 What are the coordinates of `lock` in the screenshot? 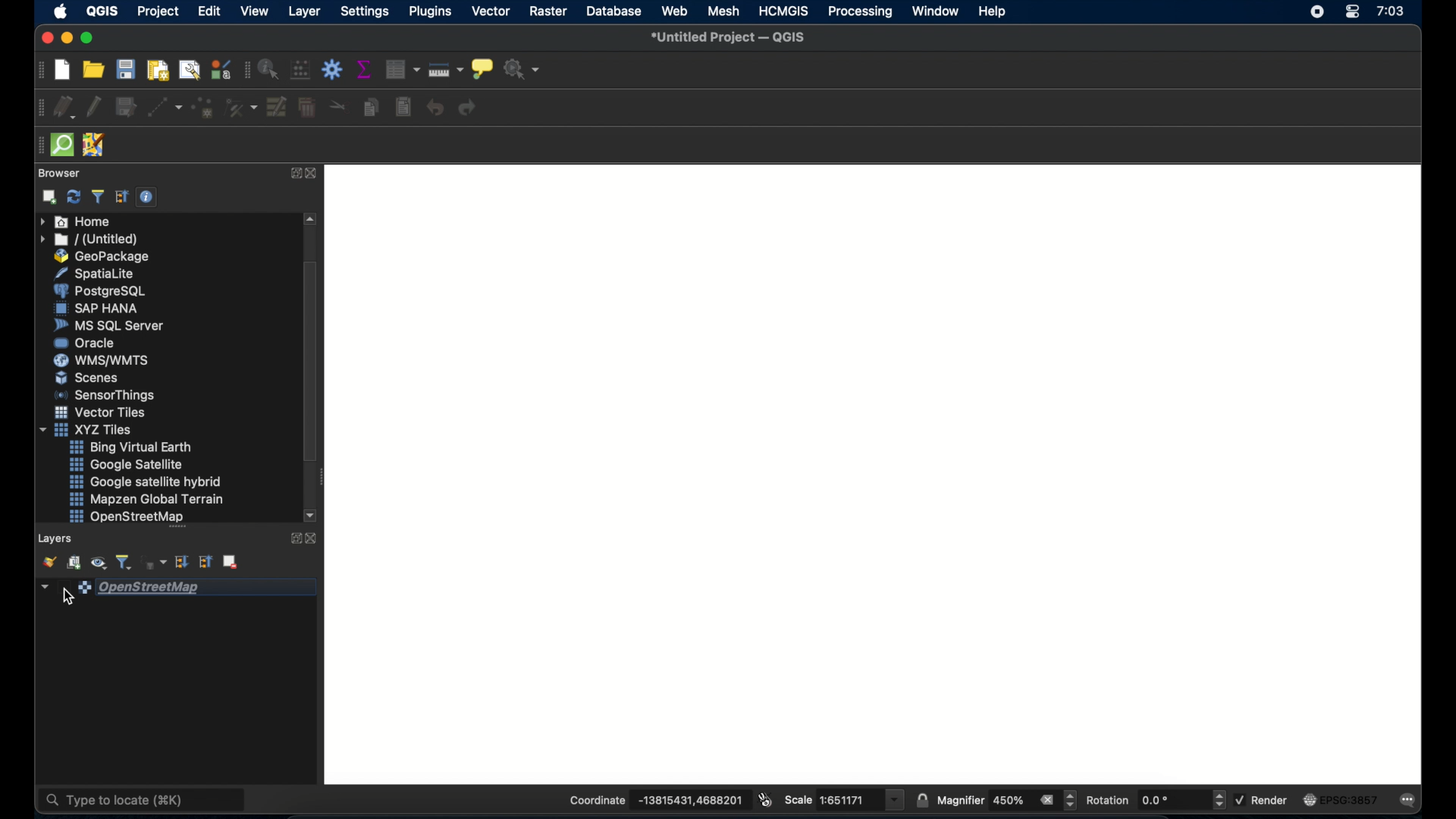 It's located at (921, 801).